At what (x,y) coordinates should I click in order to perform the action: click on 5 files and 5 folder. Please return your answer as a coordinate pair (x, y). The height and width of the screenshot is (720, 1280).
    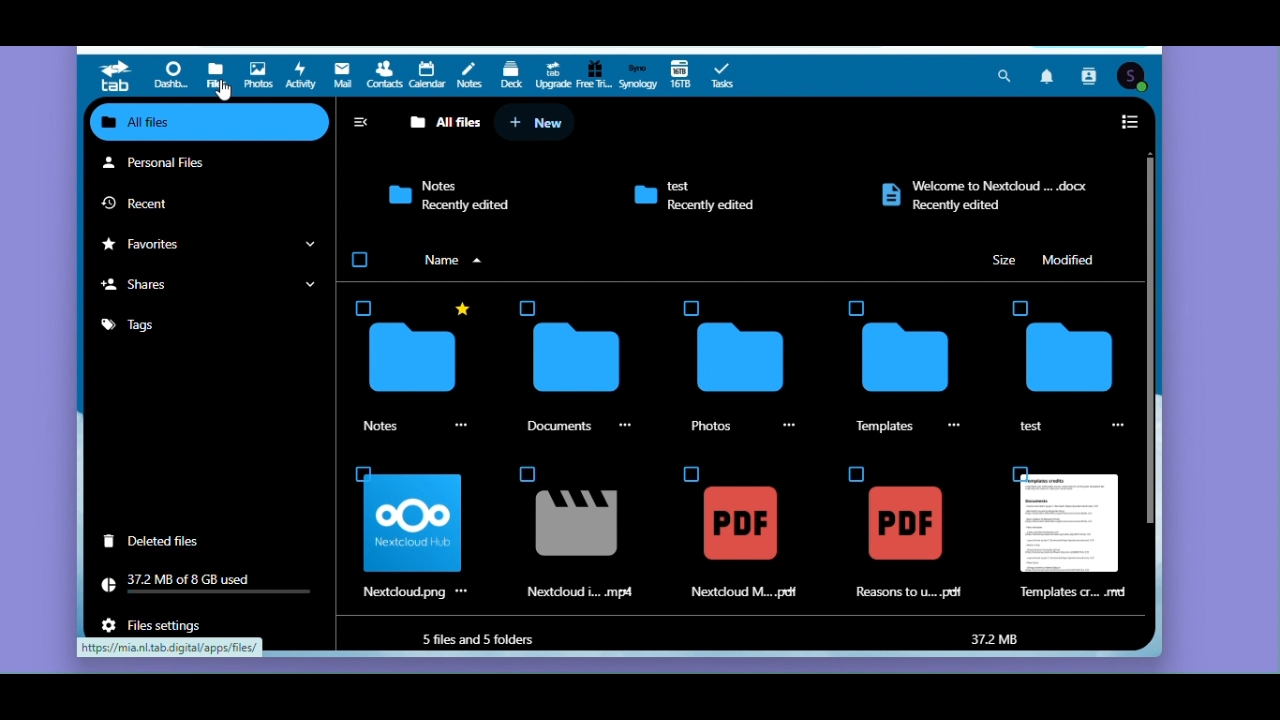
    Looking at the image, I should click on (476, 639).